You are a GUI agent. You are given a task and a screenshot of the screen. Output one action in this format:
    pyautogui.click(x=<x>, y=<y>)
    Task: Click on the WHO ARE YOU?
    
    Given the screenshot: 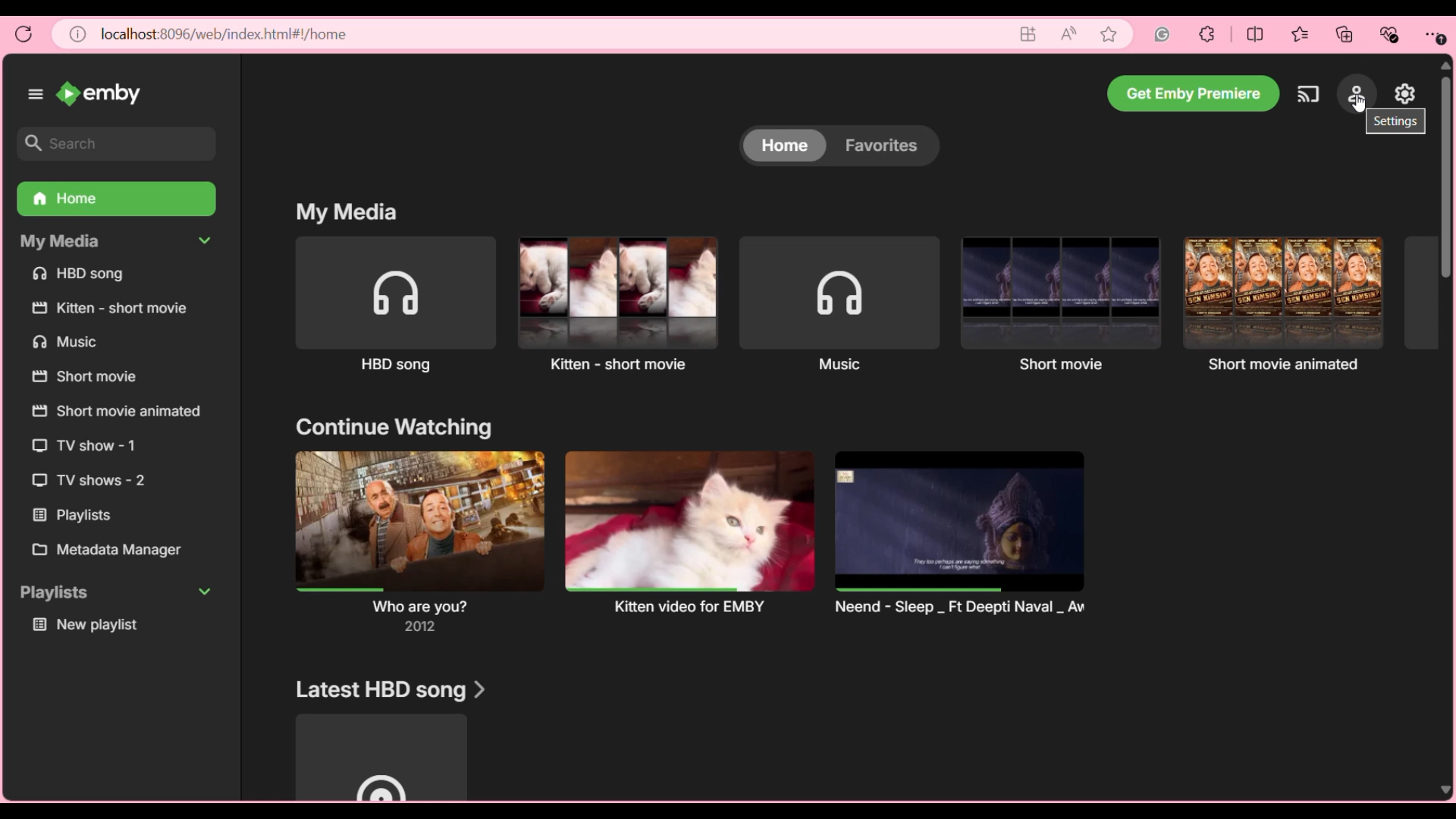 What is the action you would take?
    pyautogui.click(x=411, y=542)
    